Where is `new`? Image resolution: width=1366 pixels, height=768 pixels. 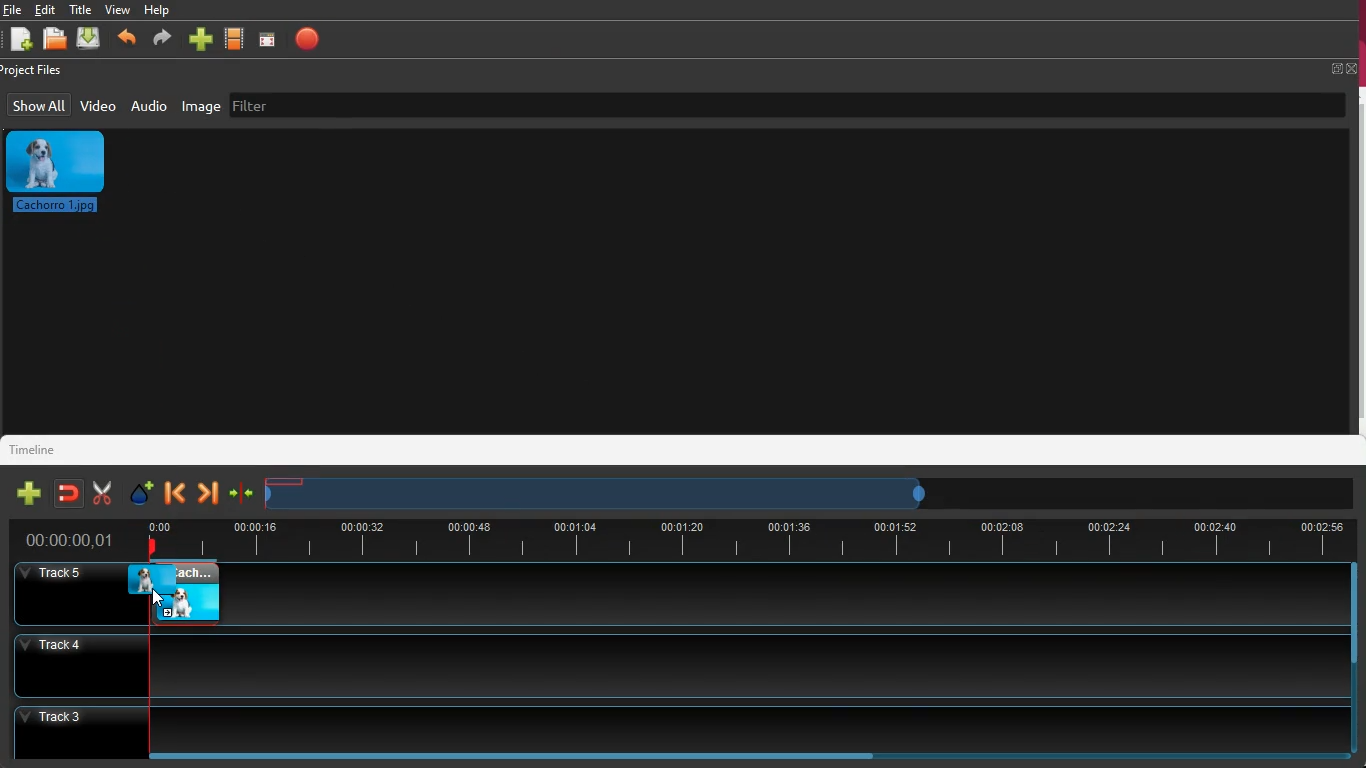
new is located at coordinates (203, 37).